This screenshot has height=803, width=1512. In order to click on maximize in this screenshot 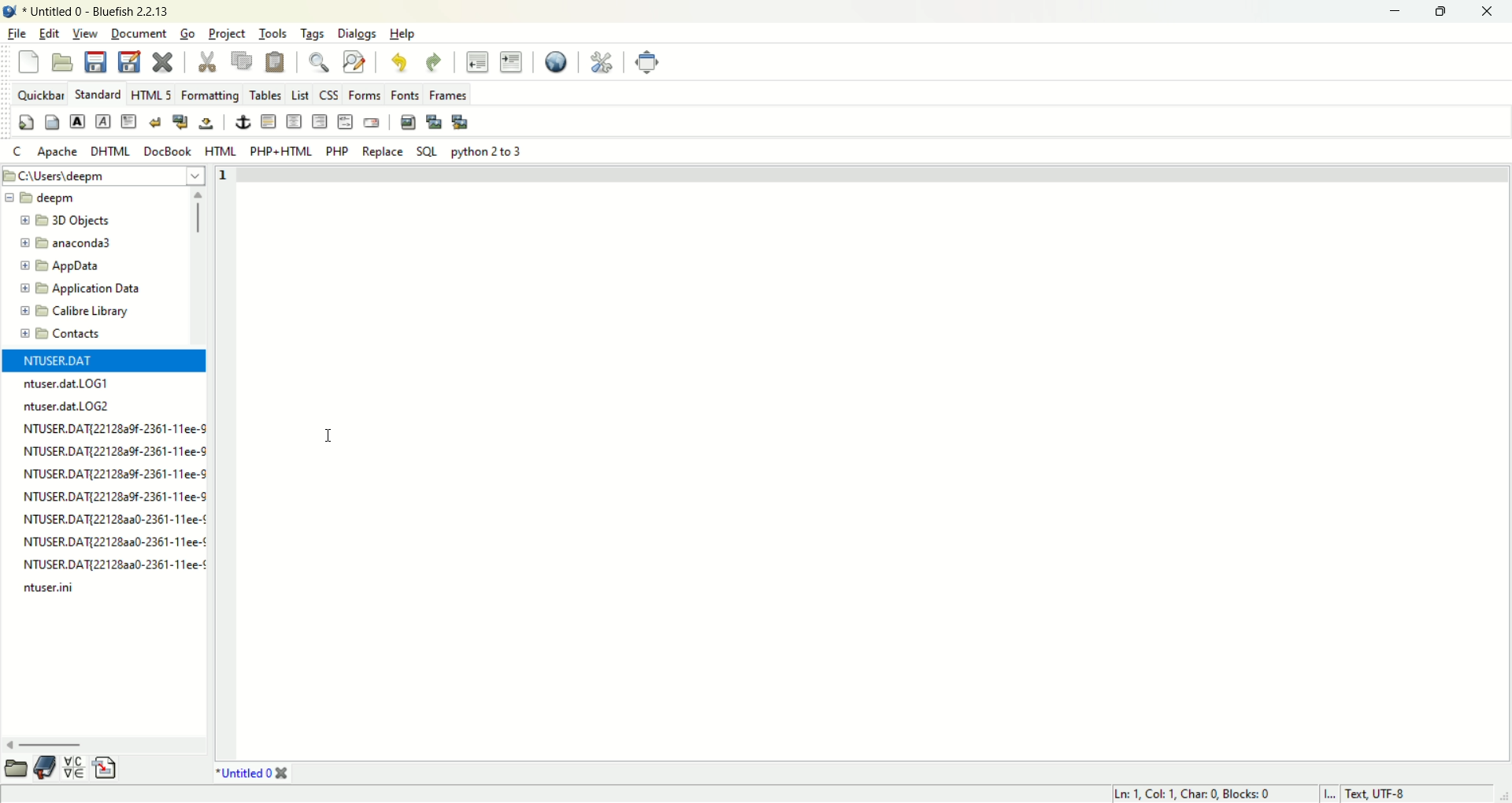, I will do `click(1448, 12)`.